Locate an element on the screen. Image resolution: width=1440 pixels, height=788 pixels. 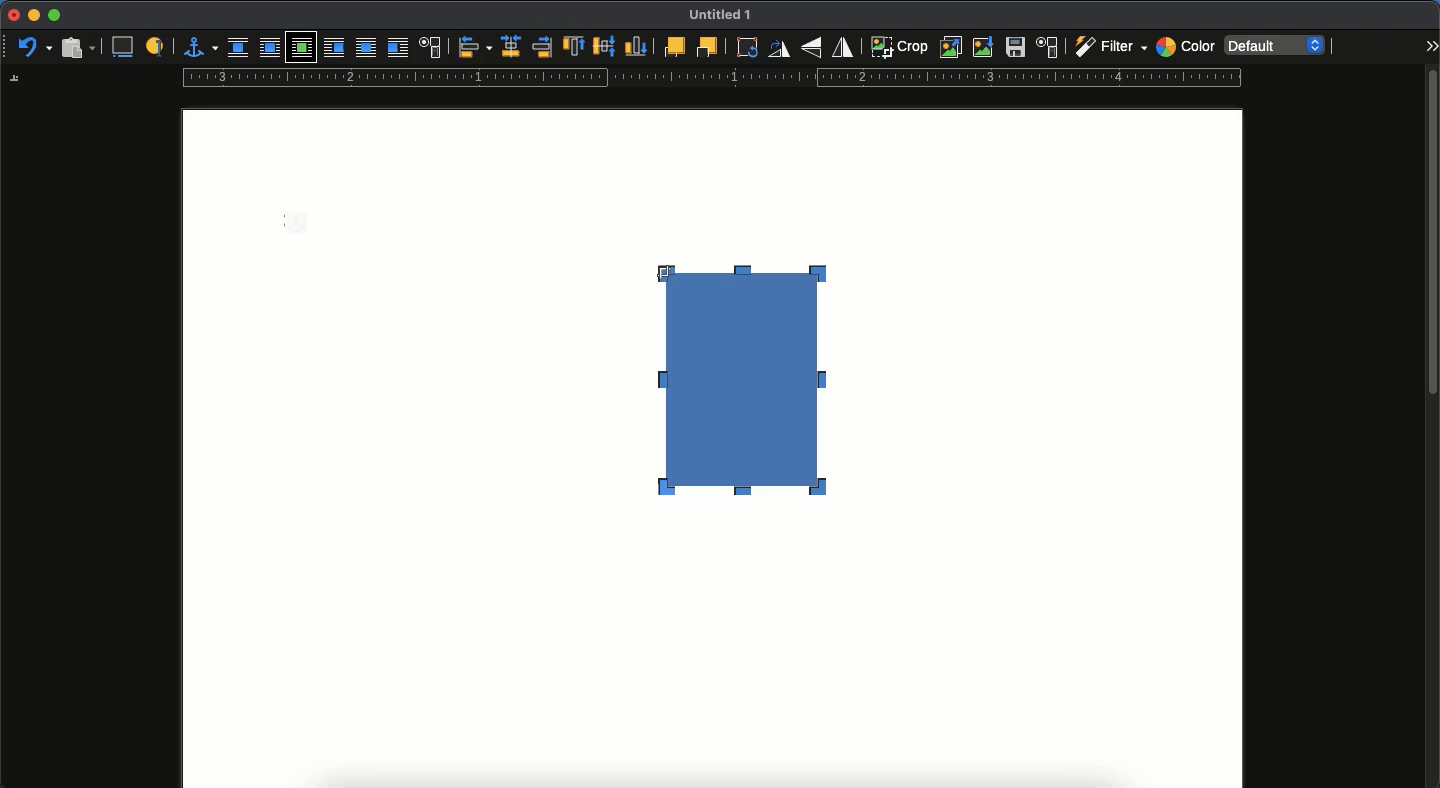
replace is located at coordinates (952, 47).